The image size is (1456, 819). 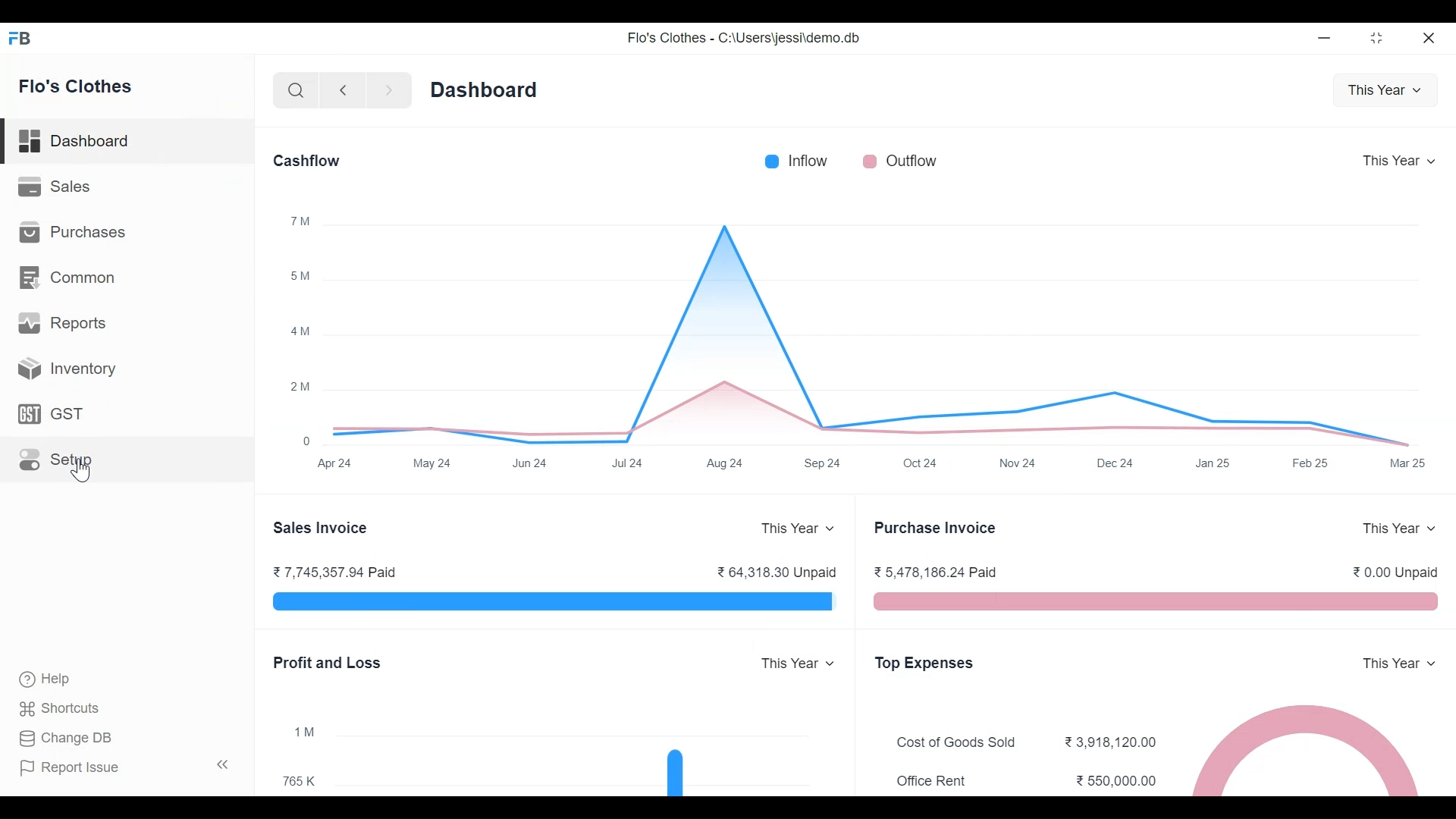 What do you see at coordinates (1430, 36) in the screenshot?
I see `close` at bounding box center [1430, 36].